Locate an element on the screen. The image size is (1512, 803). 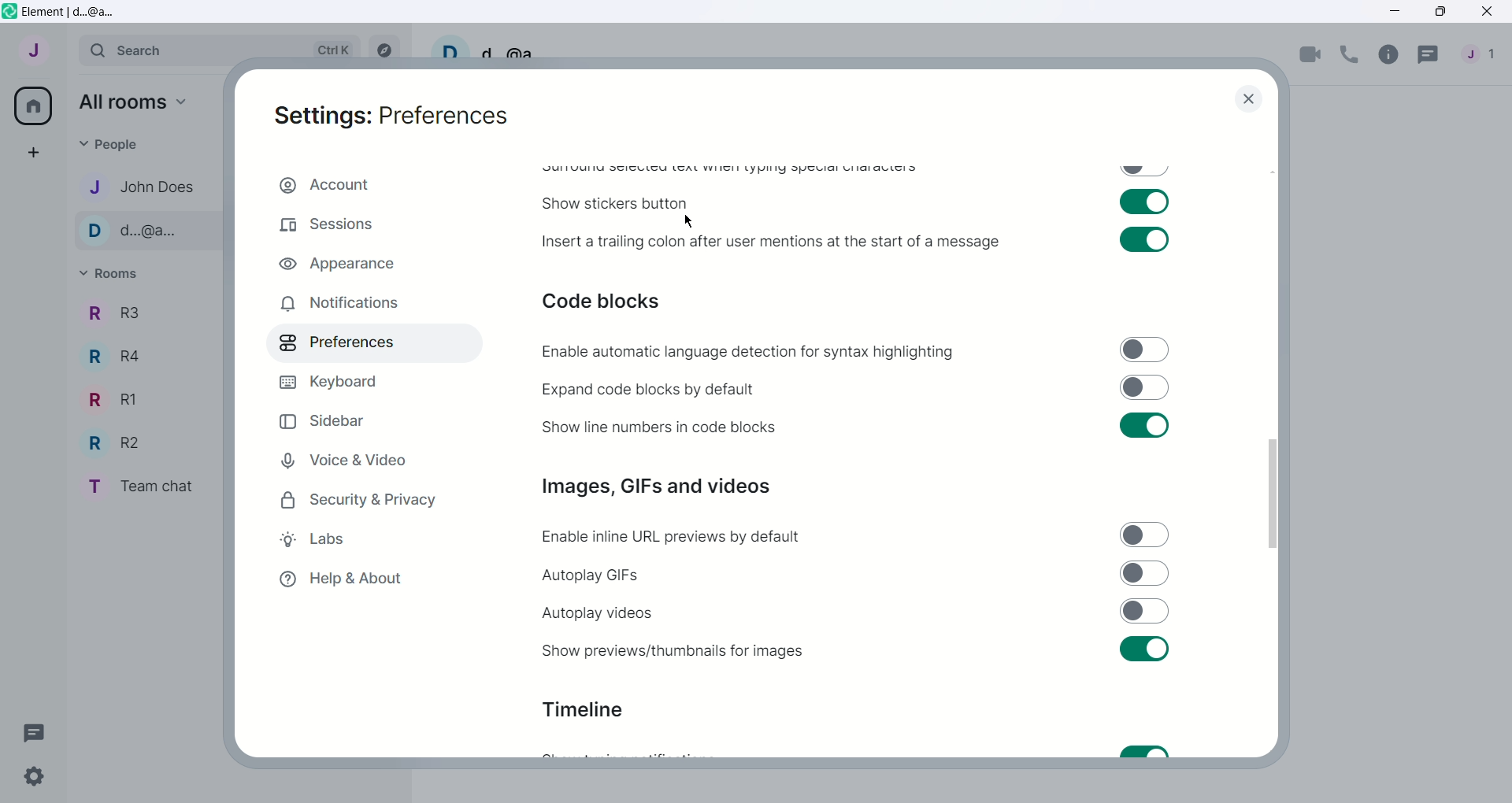
Toggle switch on for sure previews/thumbnails for images is located at coordinates (1143, 649).